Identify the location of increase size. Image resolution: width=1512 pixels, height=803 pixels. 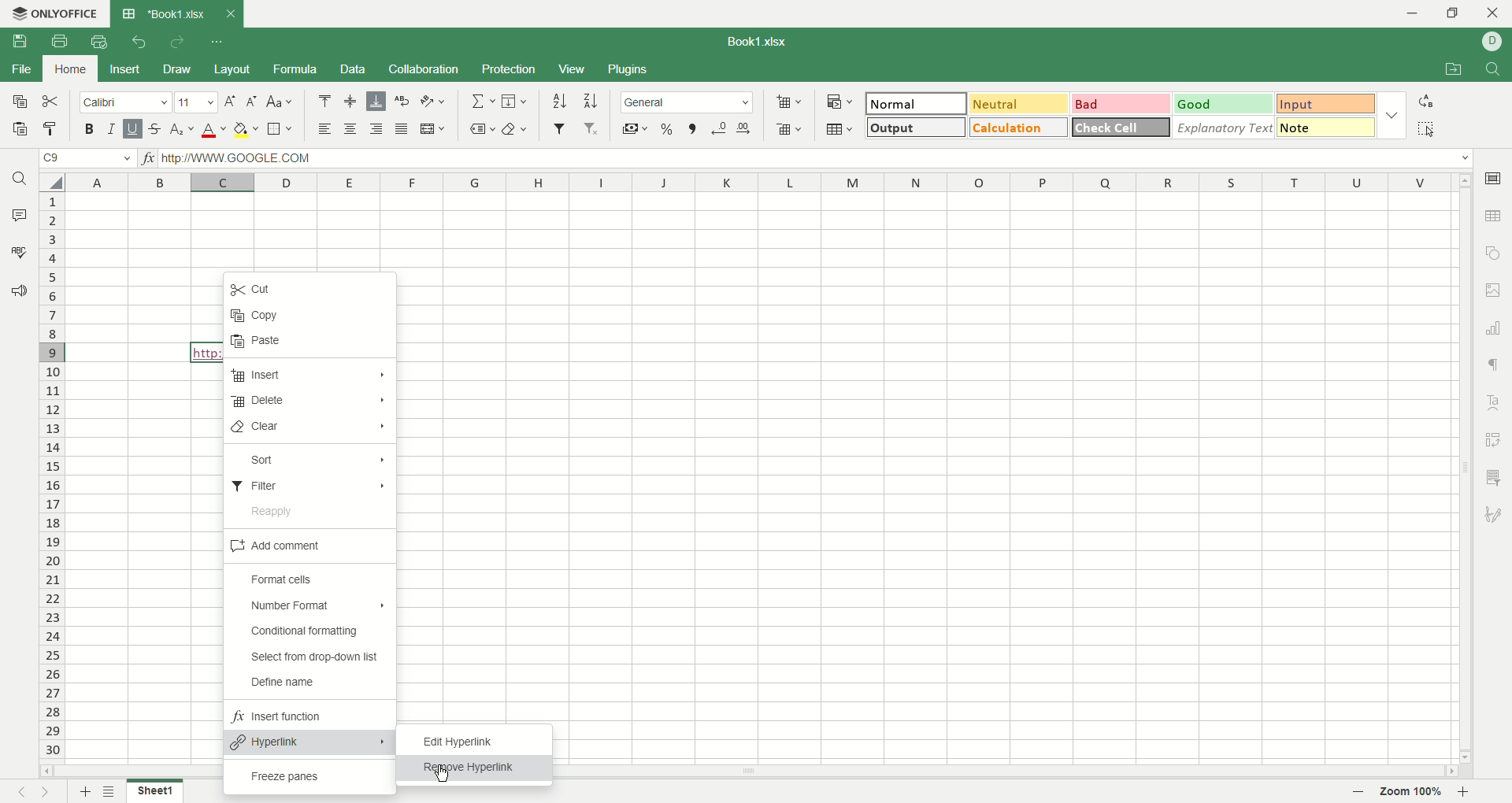
(231, 102).